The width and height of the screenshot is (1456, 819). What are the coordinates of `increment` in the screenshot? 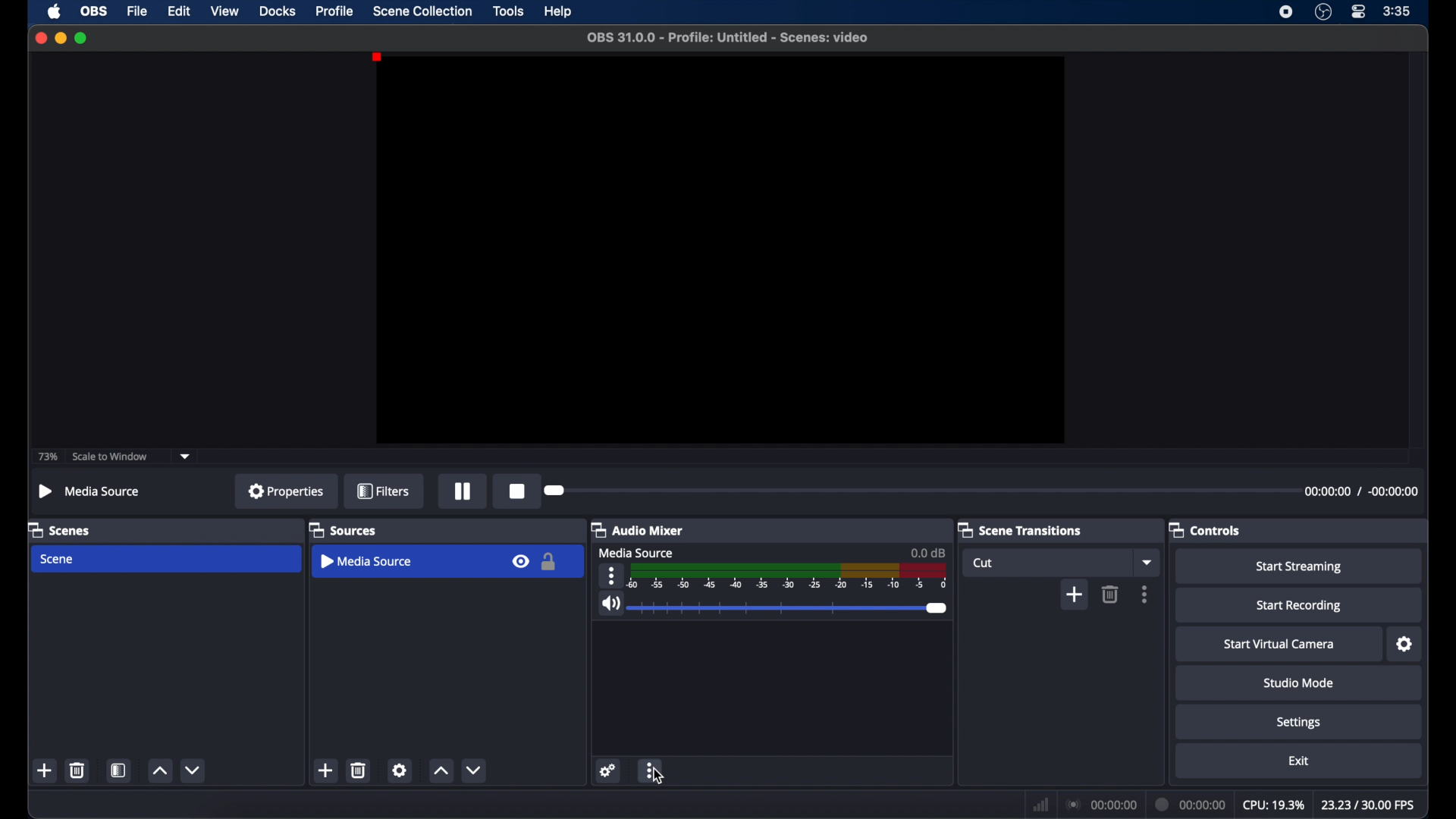 It's located at (440, 770).